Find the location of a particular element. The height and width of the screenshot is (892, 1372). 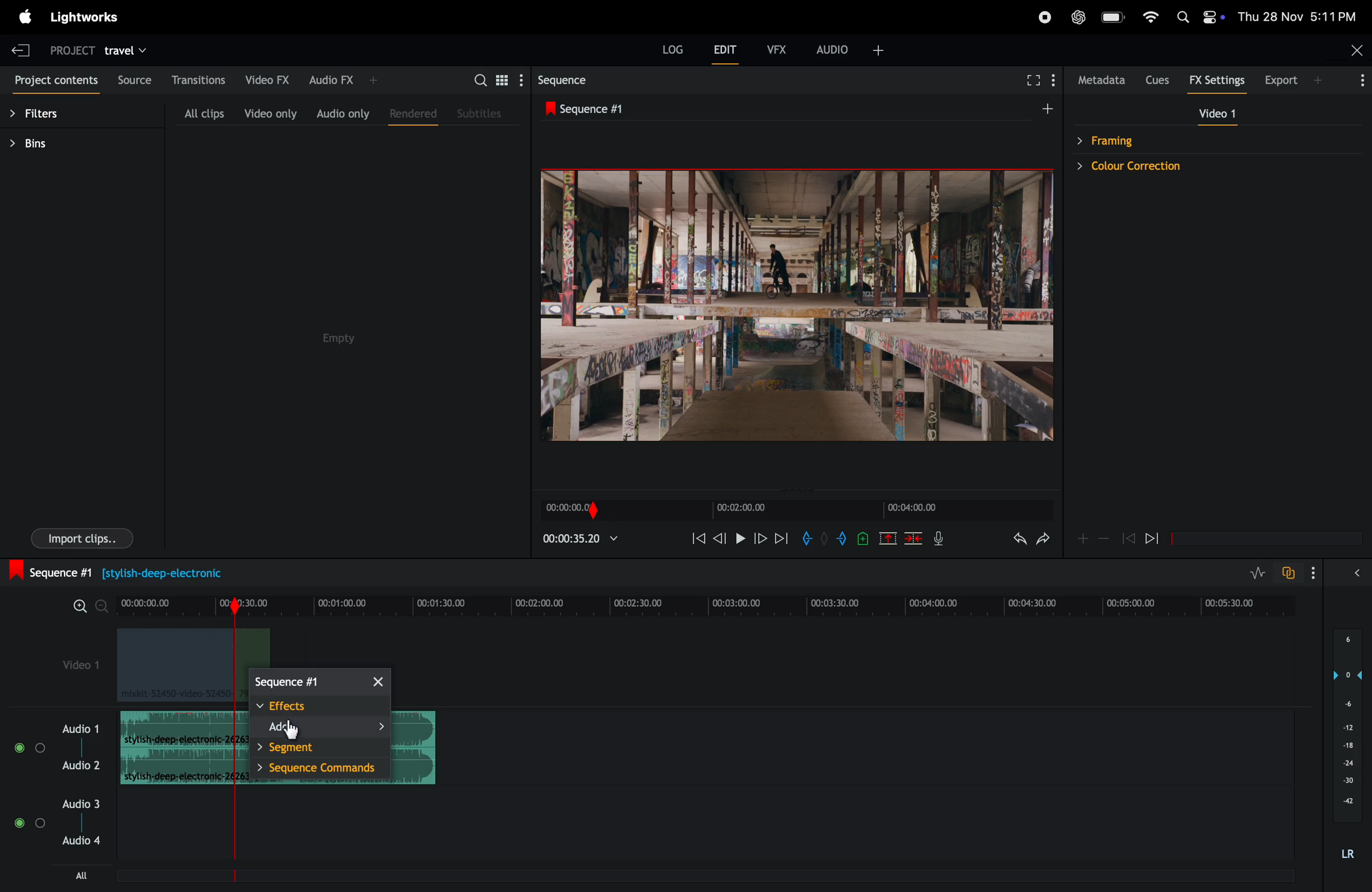

search is located at coordinates (480, 80).